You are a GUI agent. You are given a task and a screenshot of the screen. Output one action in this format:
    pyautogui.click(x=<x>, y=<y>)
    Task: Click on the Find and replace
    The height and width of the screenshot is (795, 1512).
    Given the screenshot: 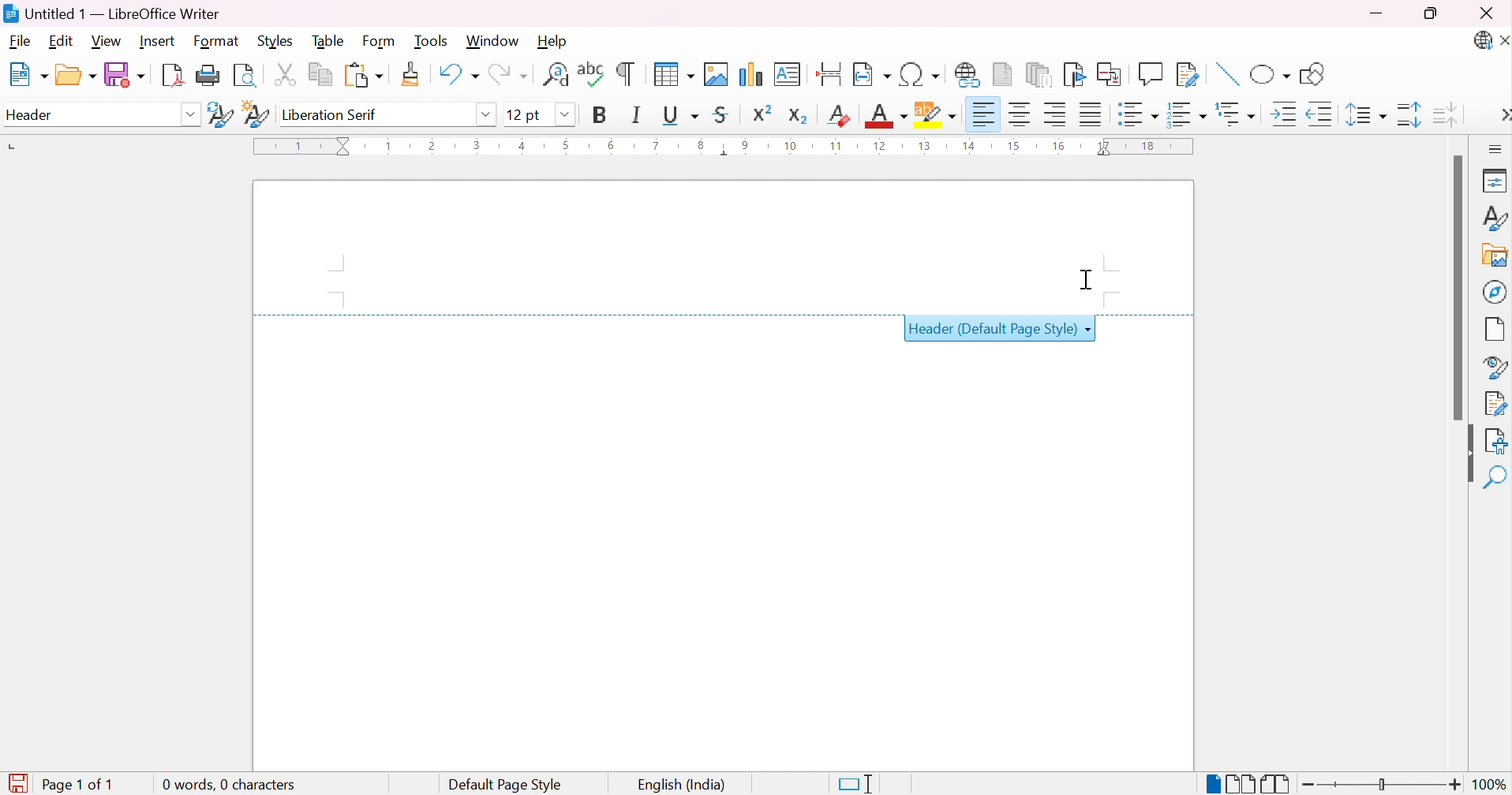 What is the action you would take?
    pyautogui.click(x=555, y=72)
    